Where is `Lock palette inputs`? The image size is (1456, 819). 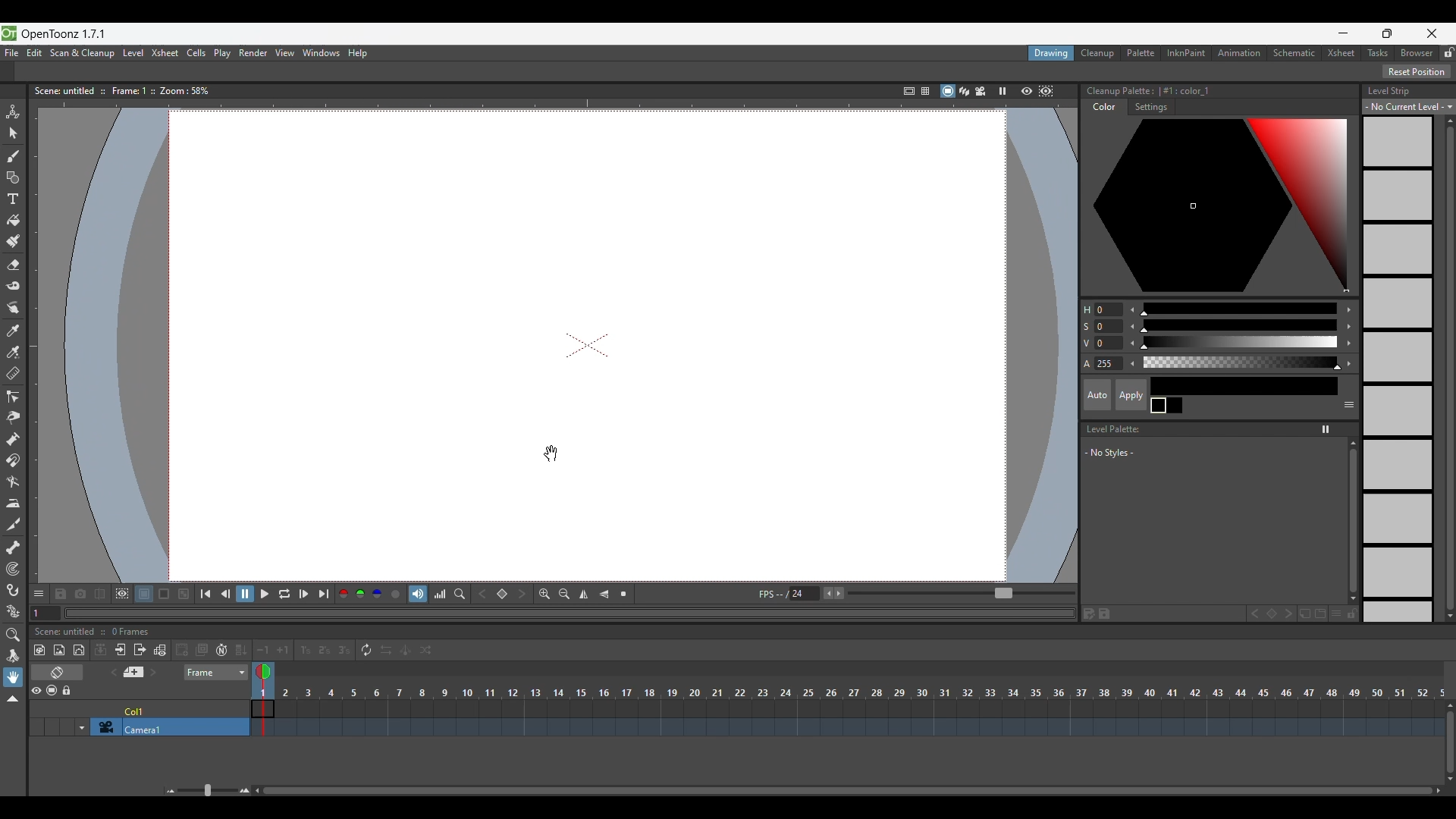 Lock palette inputs is located at coordinates (1352, 613).